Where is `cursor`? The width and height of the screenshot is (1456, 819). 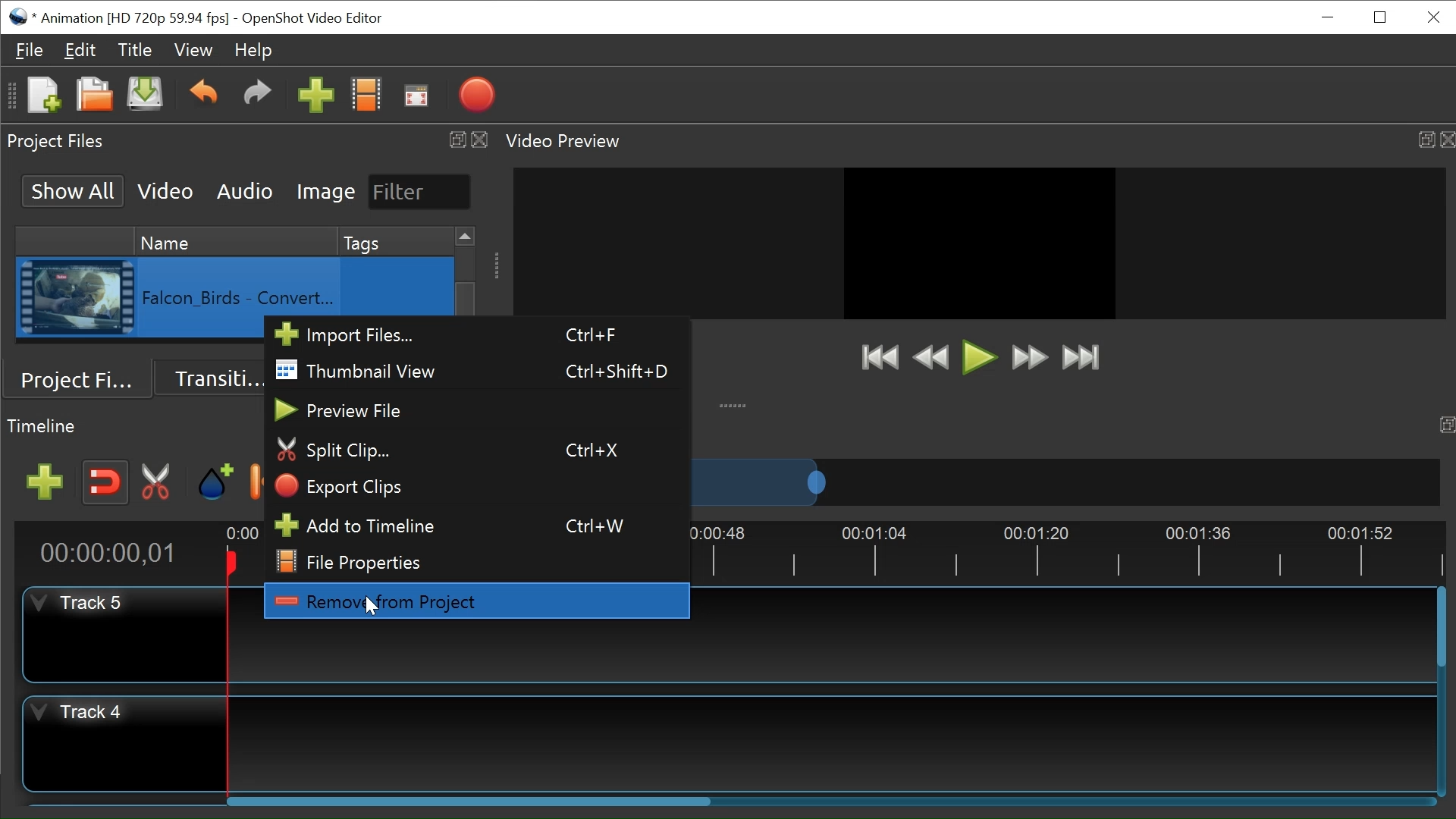
cursor is located at coordinates (375, 608).